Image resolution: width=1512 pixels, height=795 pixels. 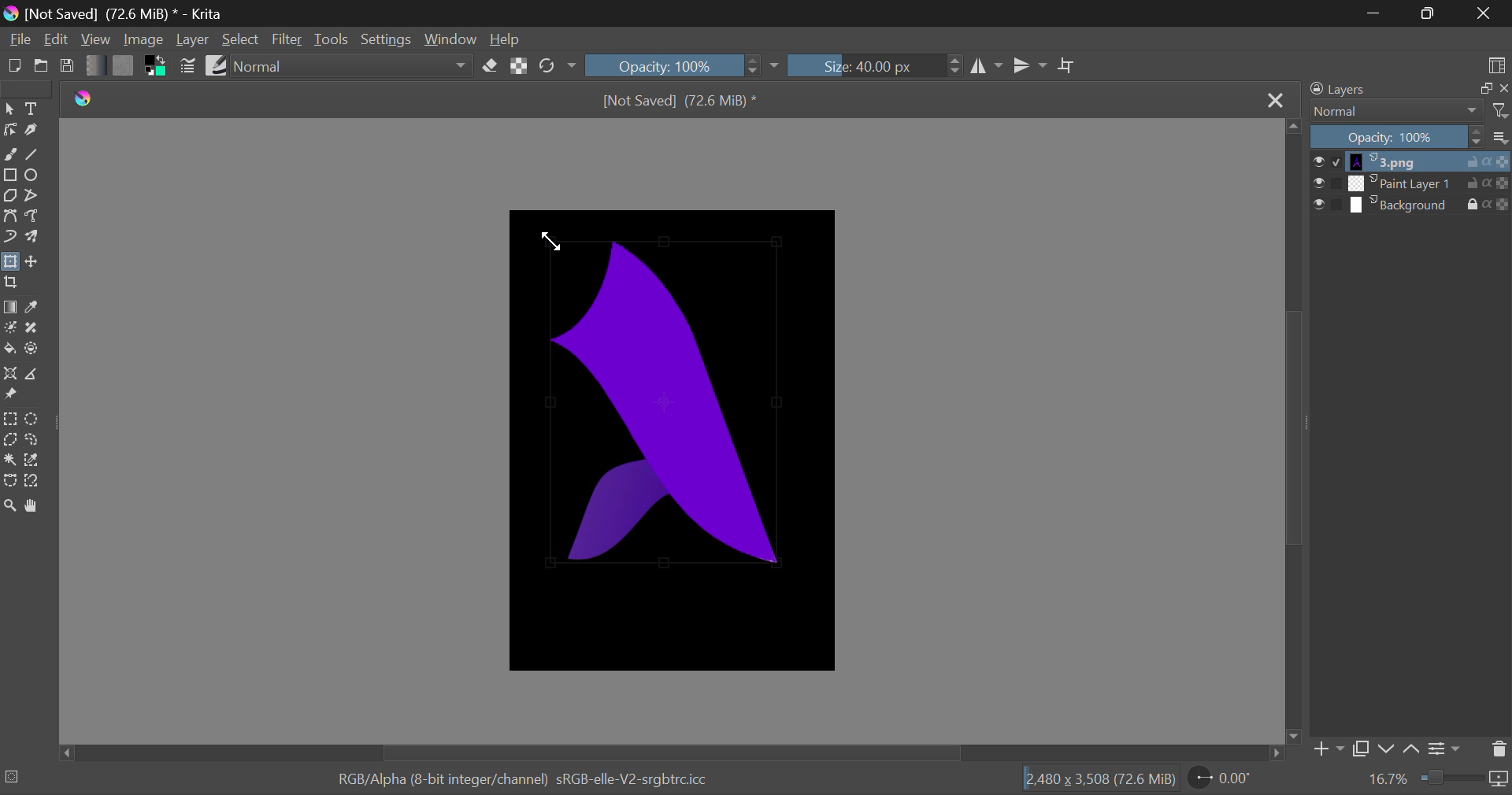 What do you see at coordinates (1328, 162) in the screenshot?
I see `checkbox` at bounding box center [1328, 162].